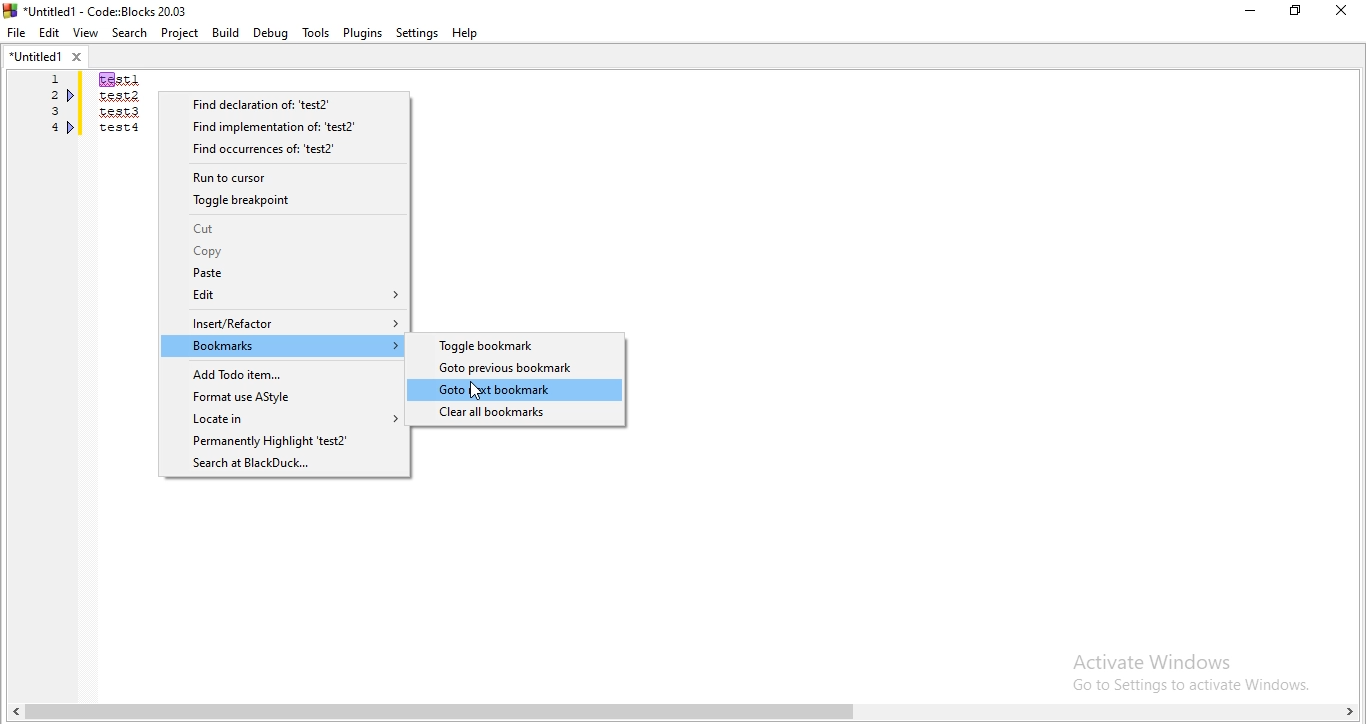  Describe the element at coordinates (283, 322) in the screenshot. I see `Insert/Refactor` at that location.